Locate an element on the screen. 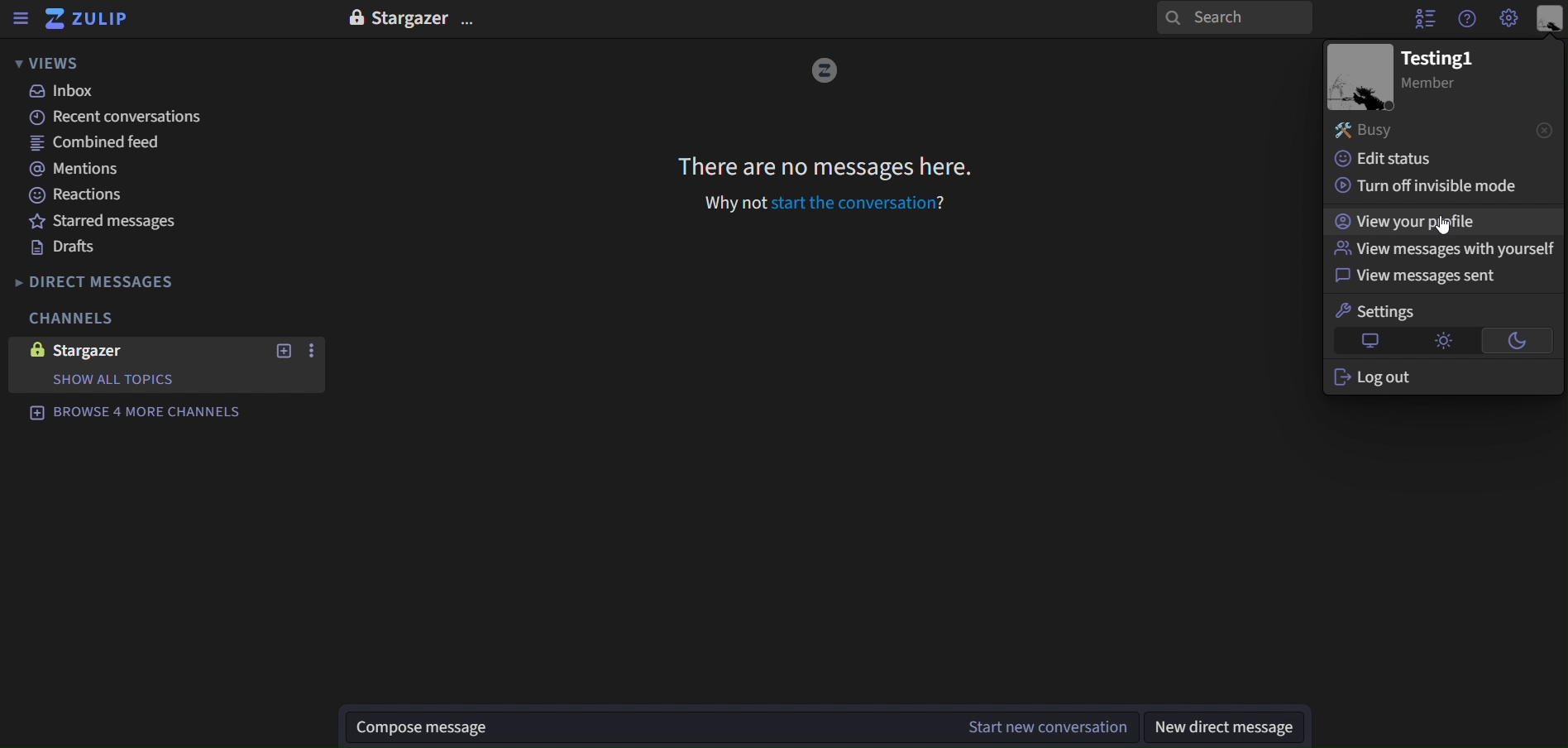 This screenshot has height=748, width=1568. dark is located at coordinates (1514, 342).